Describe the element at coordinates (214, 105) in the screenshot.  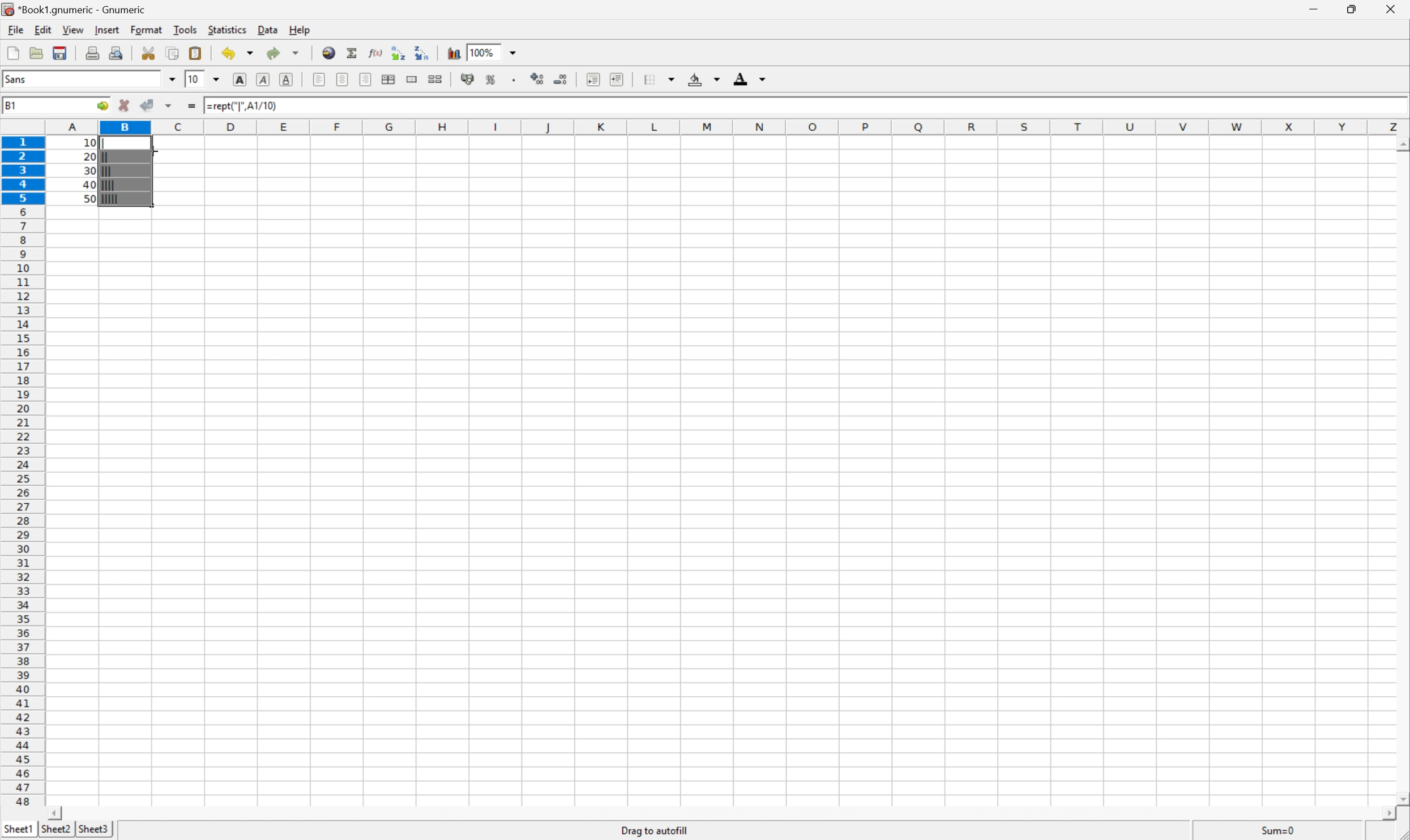
I see `10` at that location.